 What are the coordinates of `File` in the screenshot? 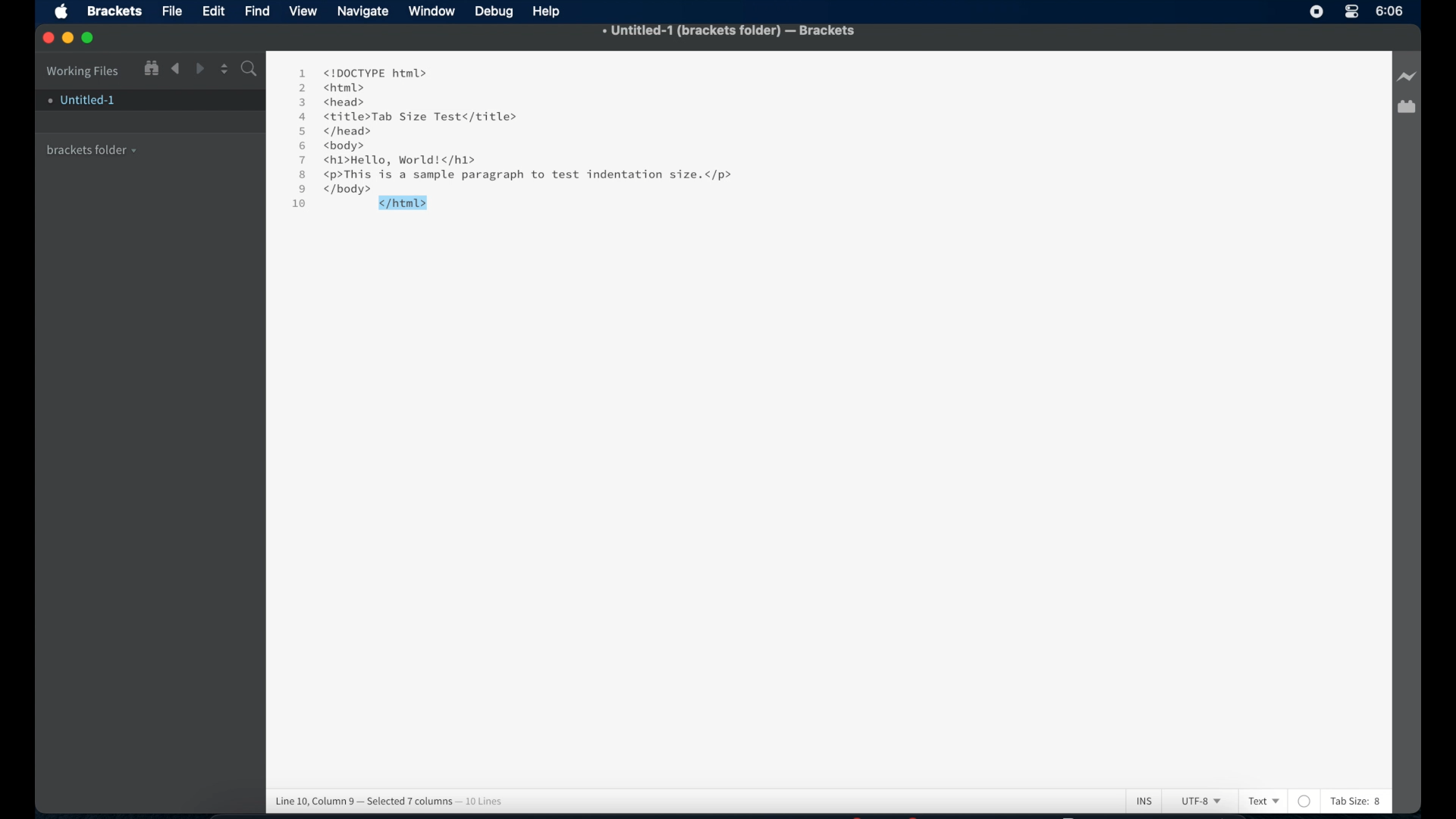 It's located at (172, 12).